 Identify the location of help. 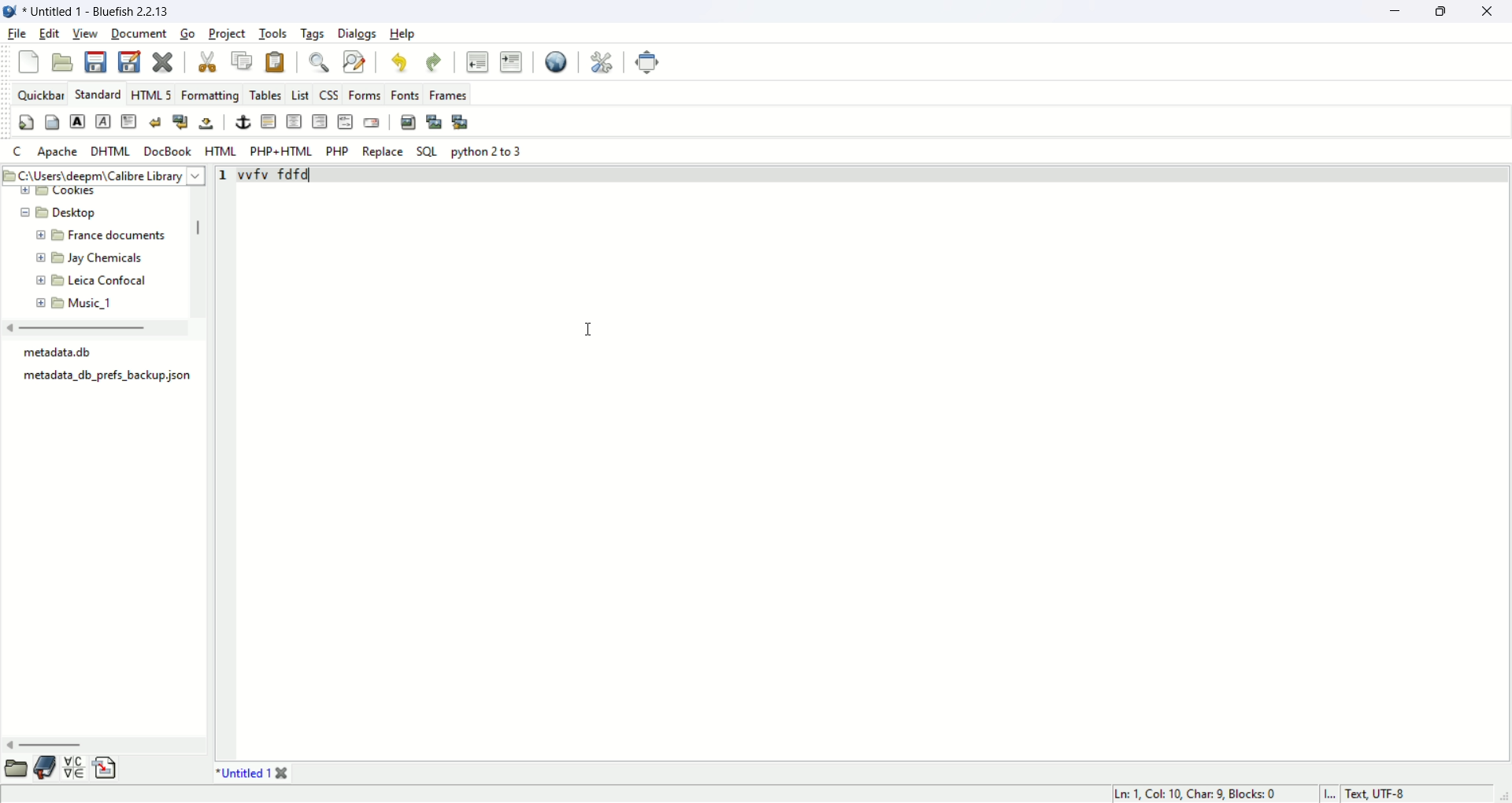
(405, 34).